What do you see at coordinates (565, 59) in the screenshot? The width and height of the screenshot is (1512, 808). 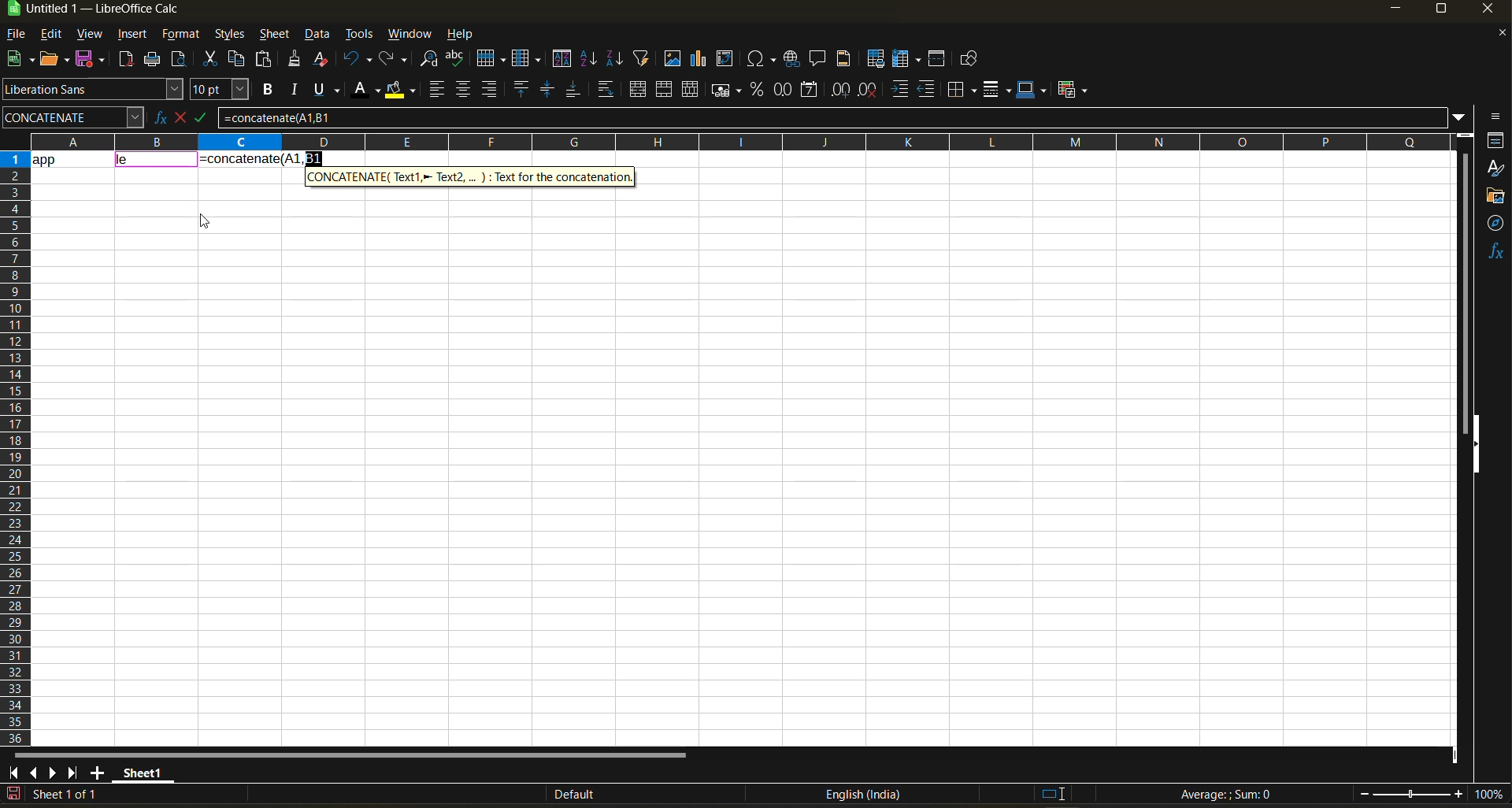 I see `sort` at bounding box center [565, 59].